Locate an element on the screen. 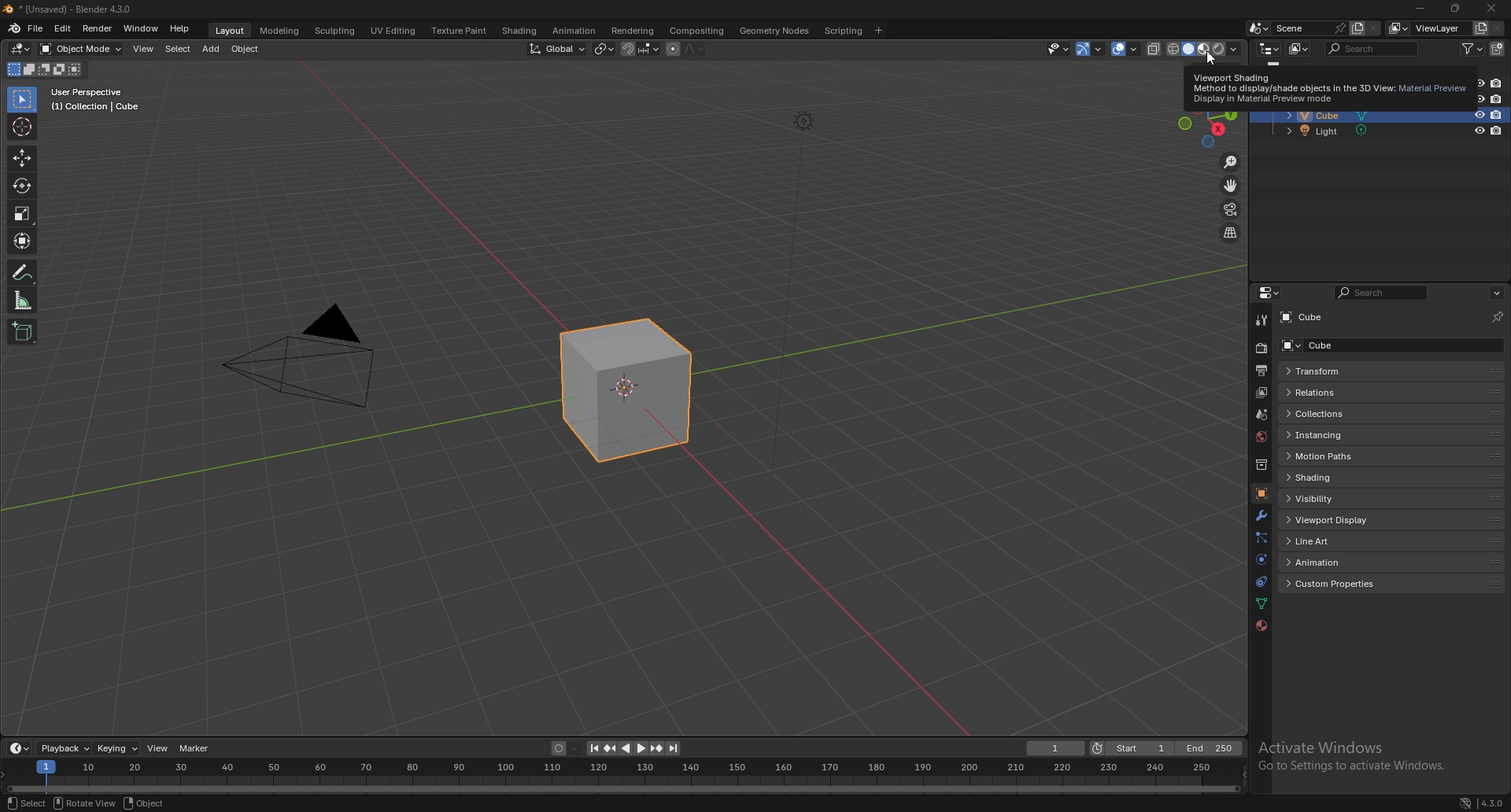 This screenshot has width=1511, height=812. file is located at coordinates (37, 29).